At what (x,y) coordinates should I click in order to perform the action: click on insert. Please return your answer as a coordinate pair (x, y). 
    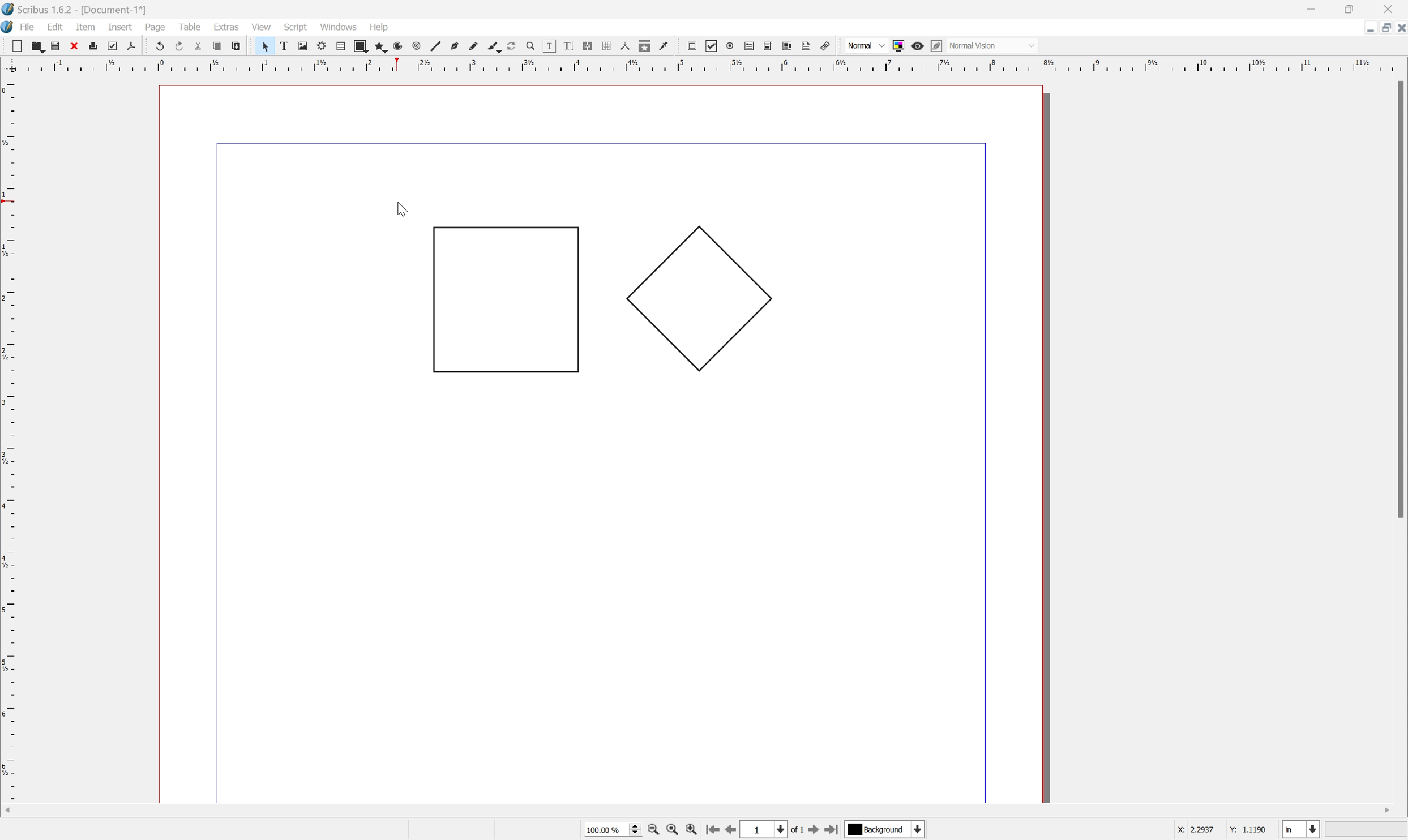
    Looking at the image, I should click on (121, 25).